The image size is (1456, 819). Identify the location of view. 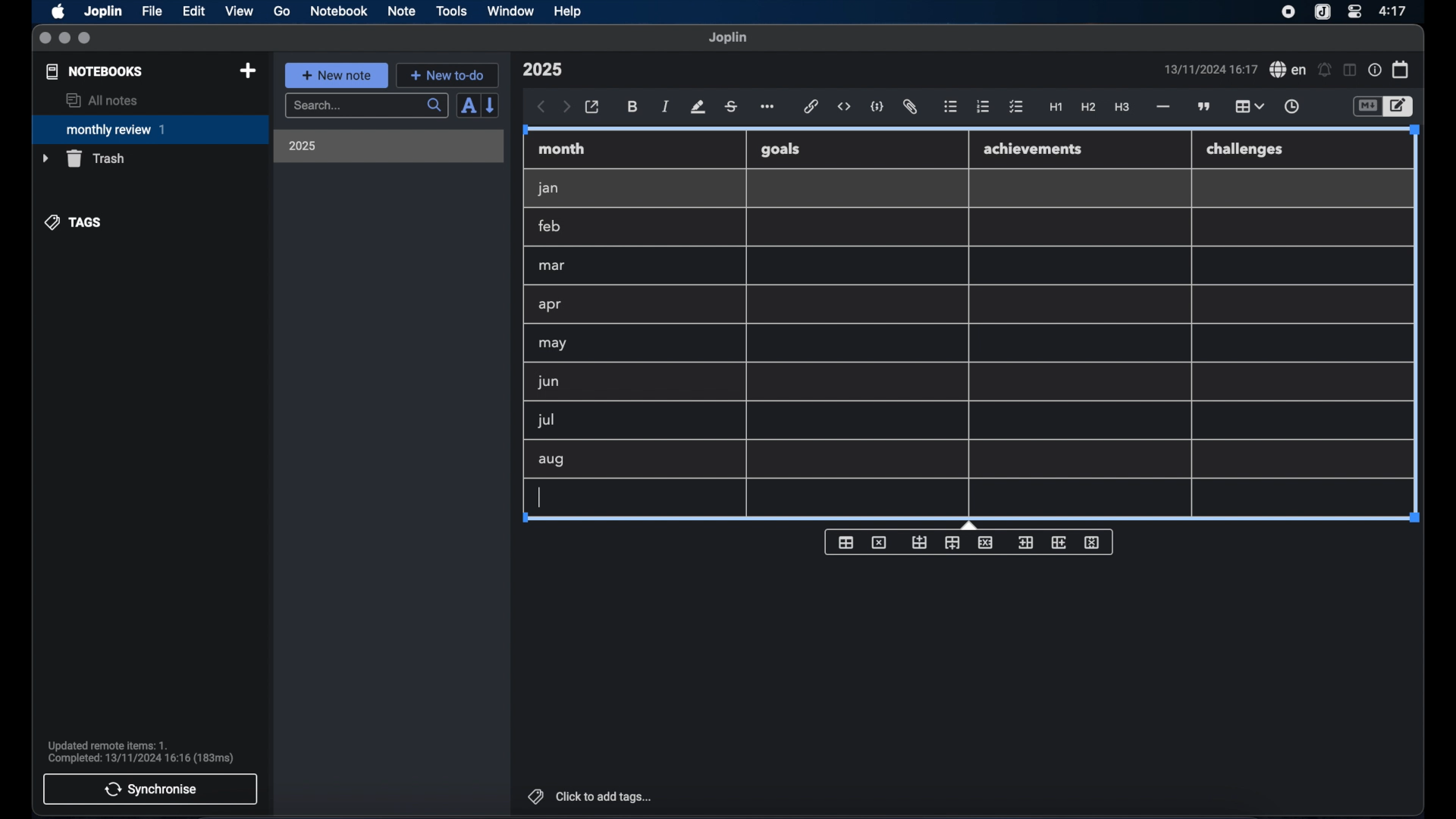
(239, 11).